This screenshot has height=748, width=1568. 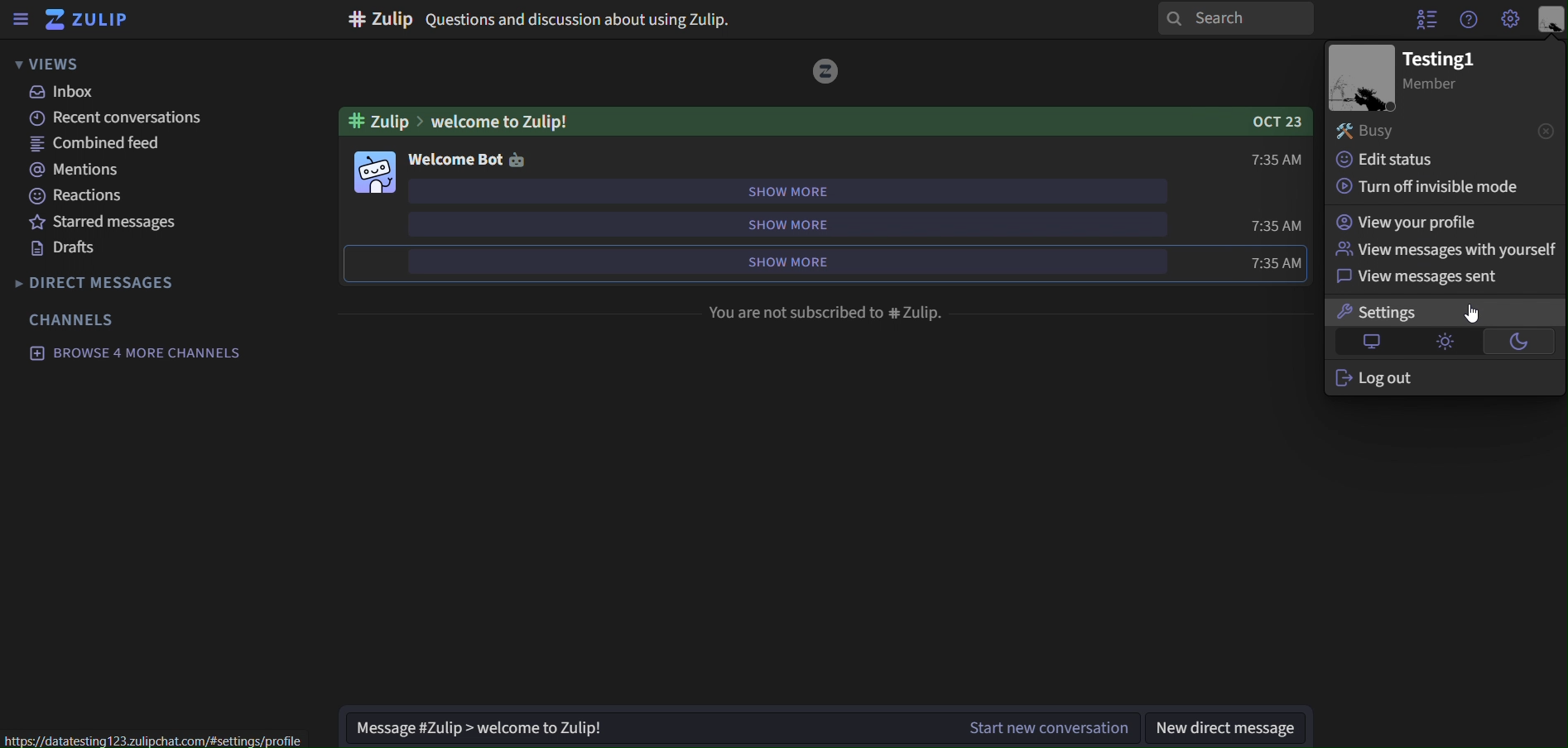 What do you see at coordinates (828, 70) in the screenshot?
I see `image` at bounding box center [828, 70].